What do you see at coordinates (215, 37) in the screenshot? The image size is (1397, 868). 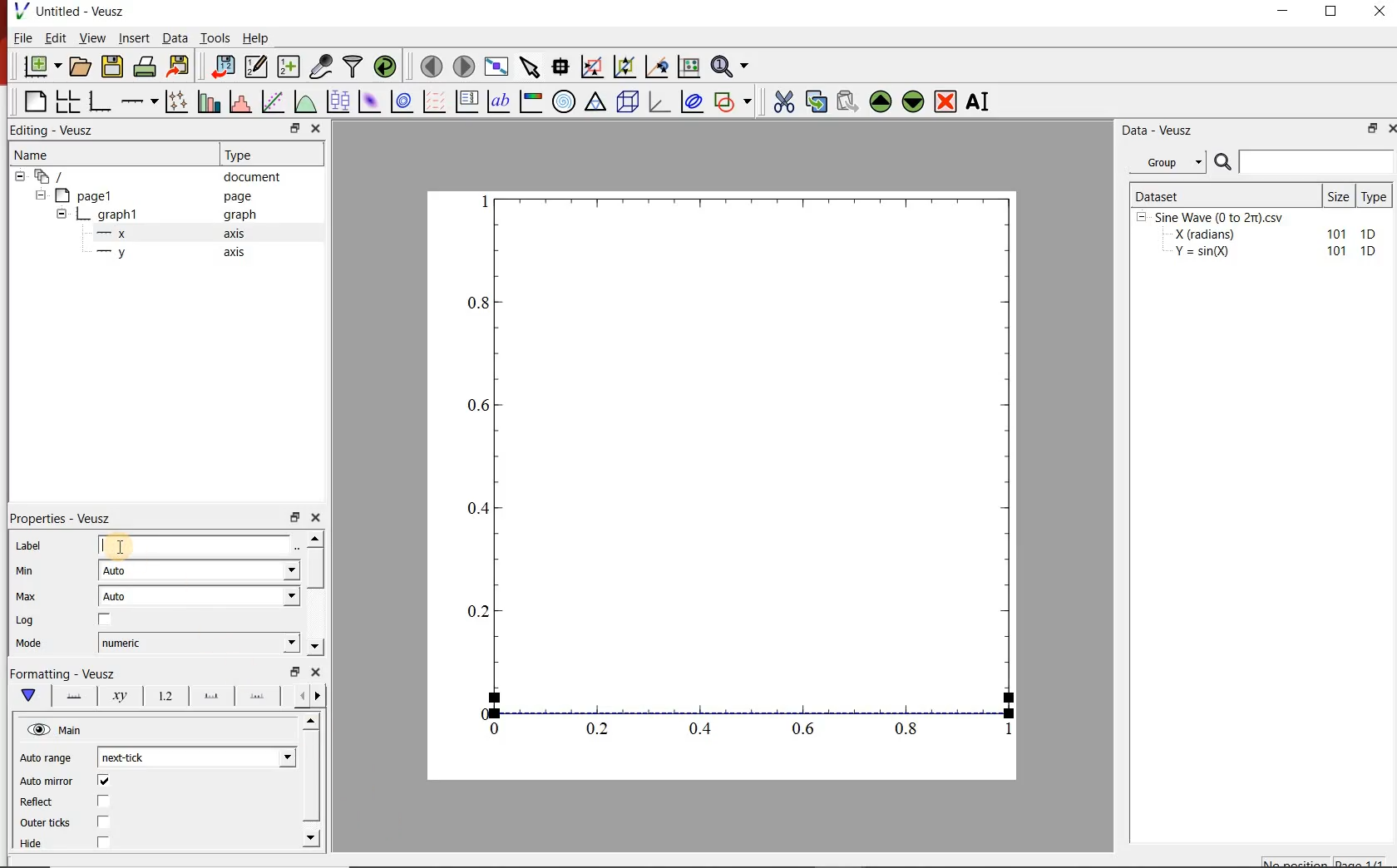 I see `Tools` at bounding box center [215, 37].